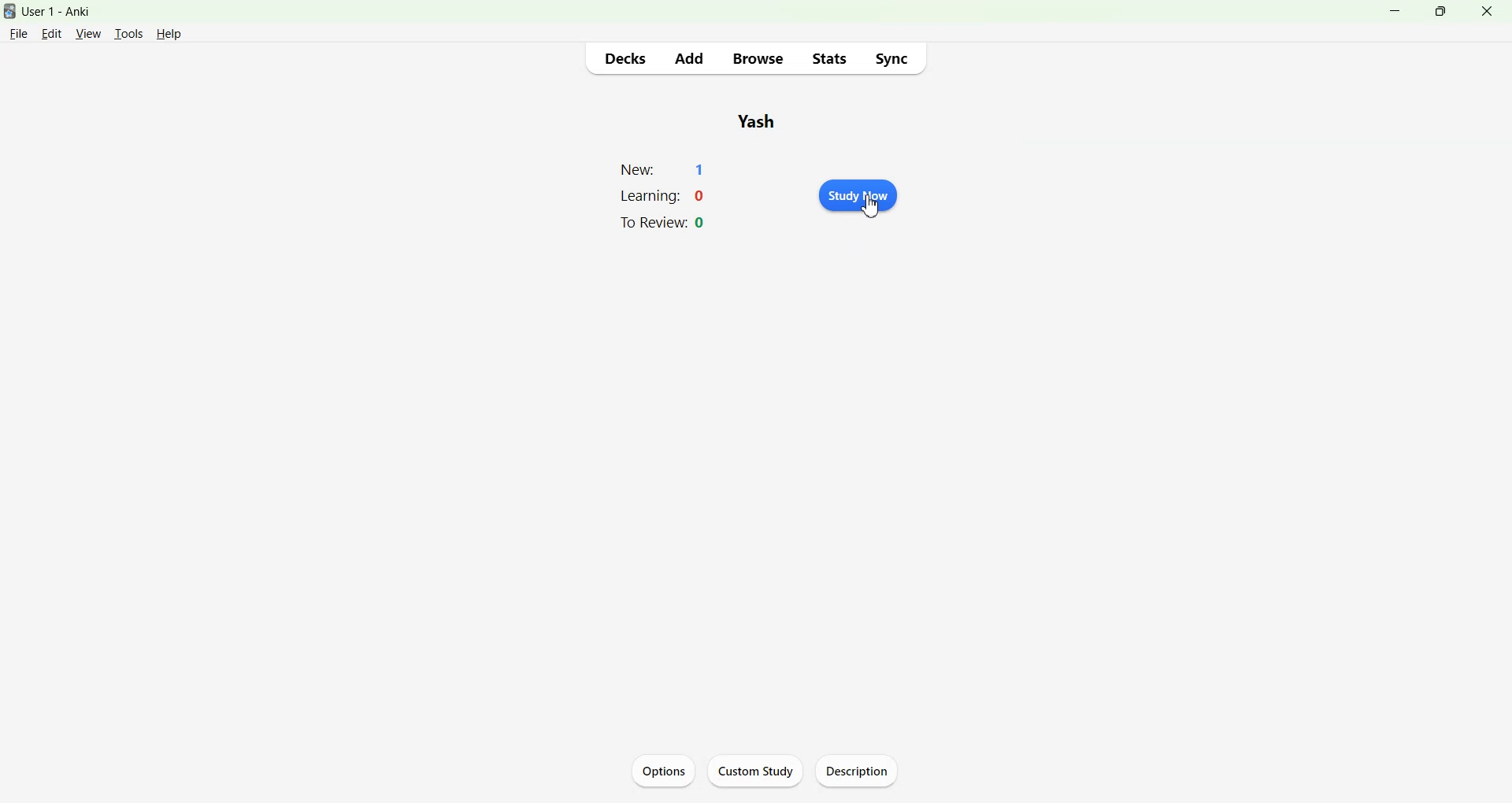 Image resolution: width=1512 pixels, height=803 pixels. What do you see at coordinates (626, 58) in the screenshot?
I see `Decks` at bounding box center [626, 58].